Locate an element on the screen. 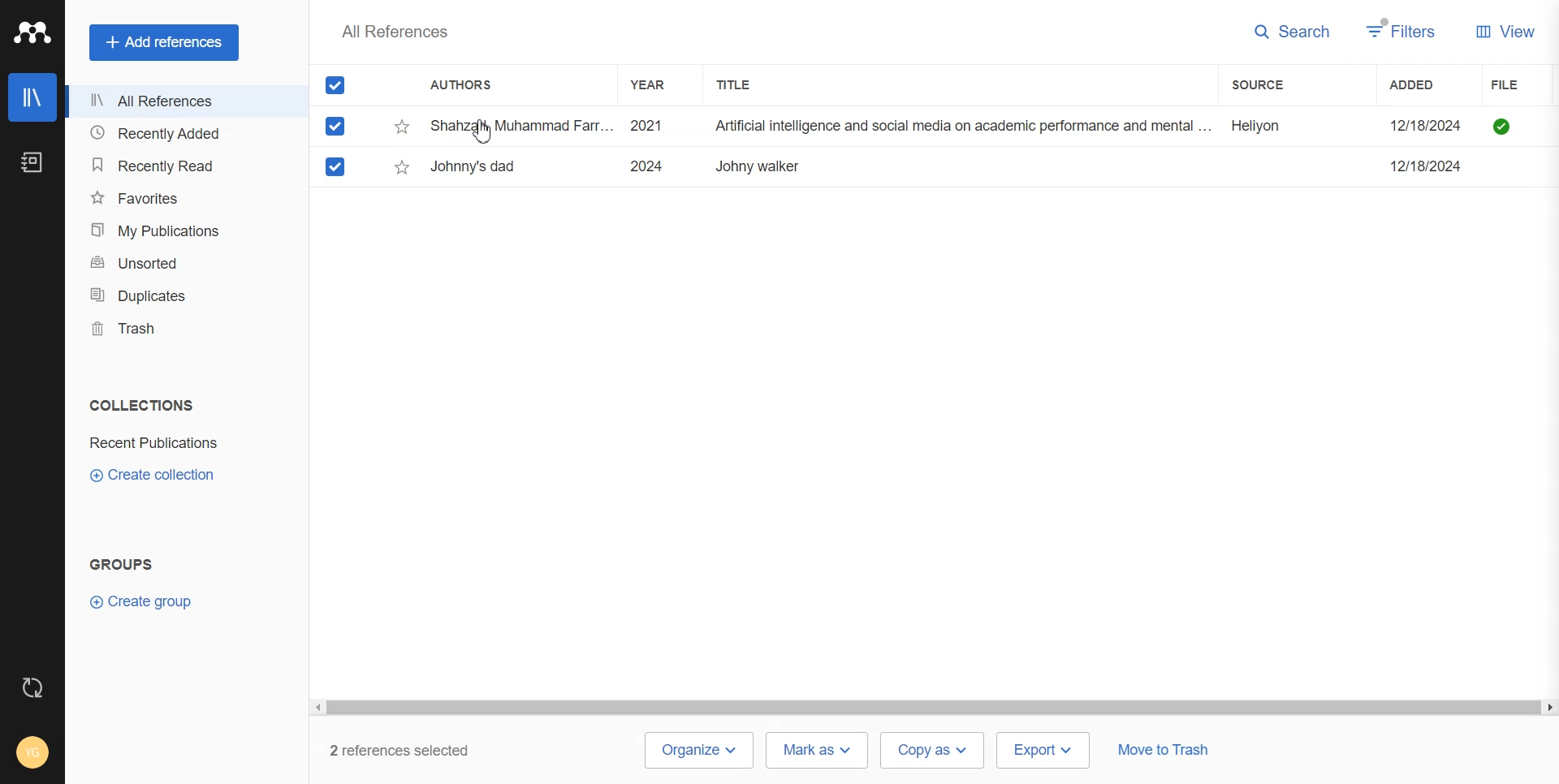 The image size is (1559, 784). Unsorted is located at coordinates (181, 263).